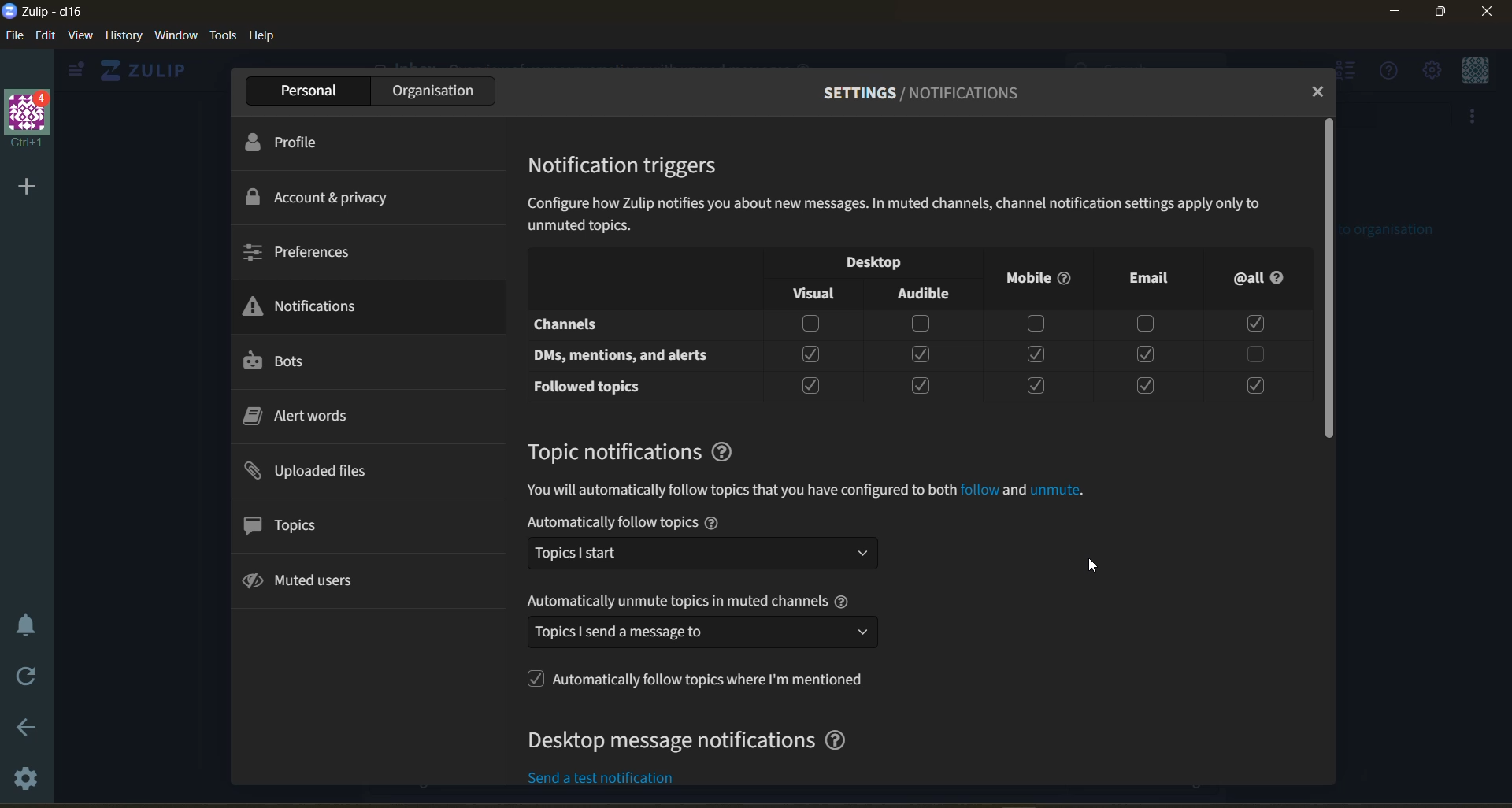 This screenshot has width=1512, height=808. I want to click on history, so click(124, 36).